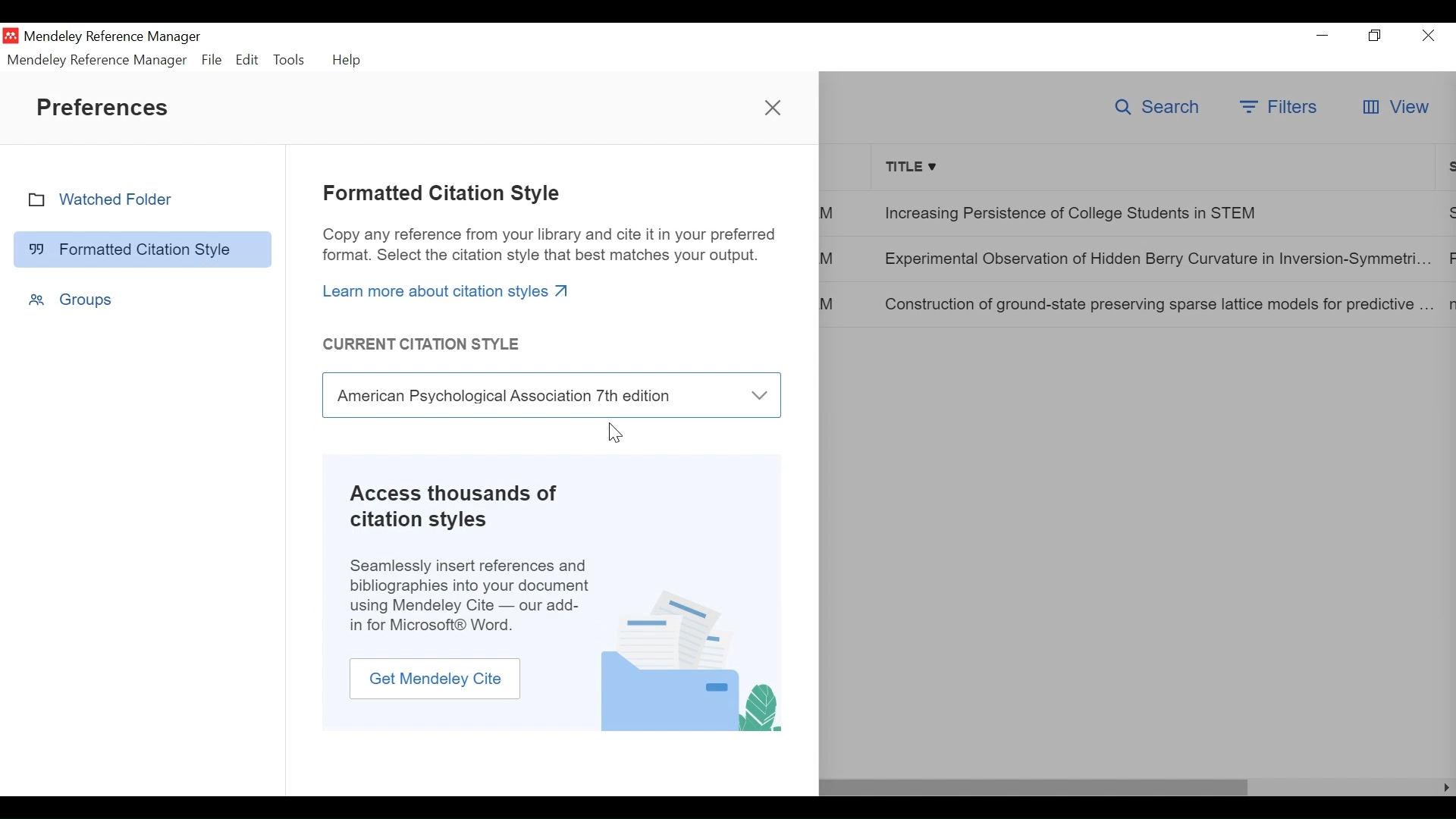  What do you see at coordinates (104, 107) in the screenshot?
I see `Preferences` at bounding box center [104, 107].